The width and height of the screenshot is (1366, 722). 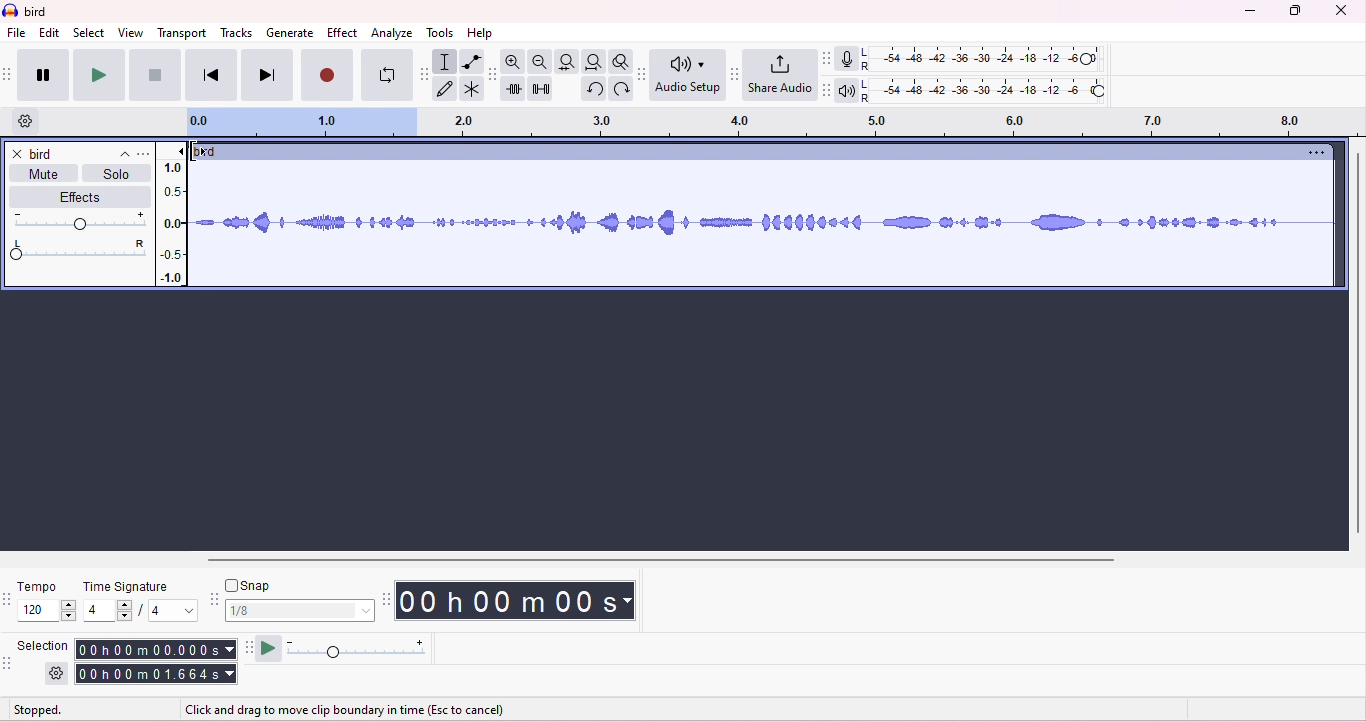 What do you see at coordinates (470, 60) in the screenshot?
I see `envelop` at bounding box center [470, 60].